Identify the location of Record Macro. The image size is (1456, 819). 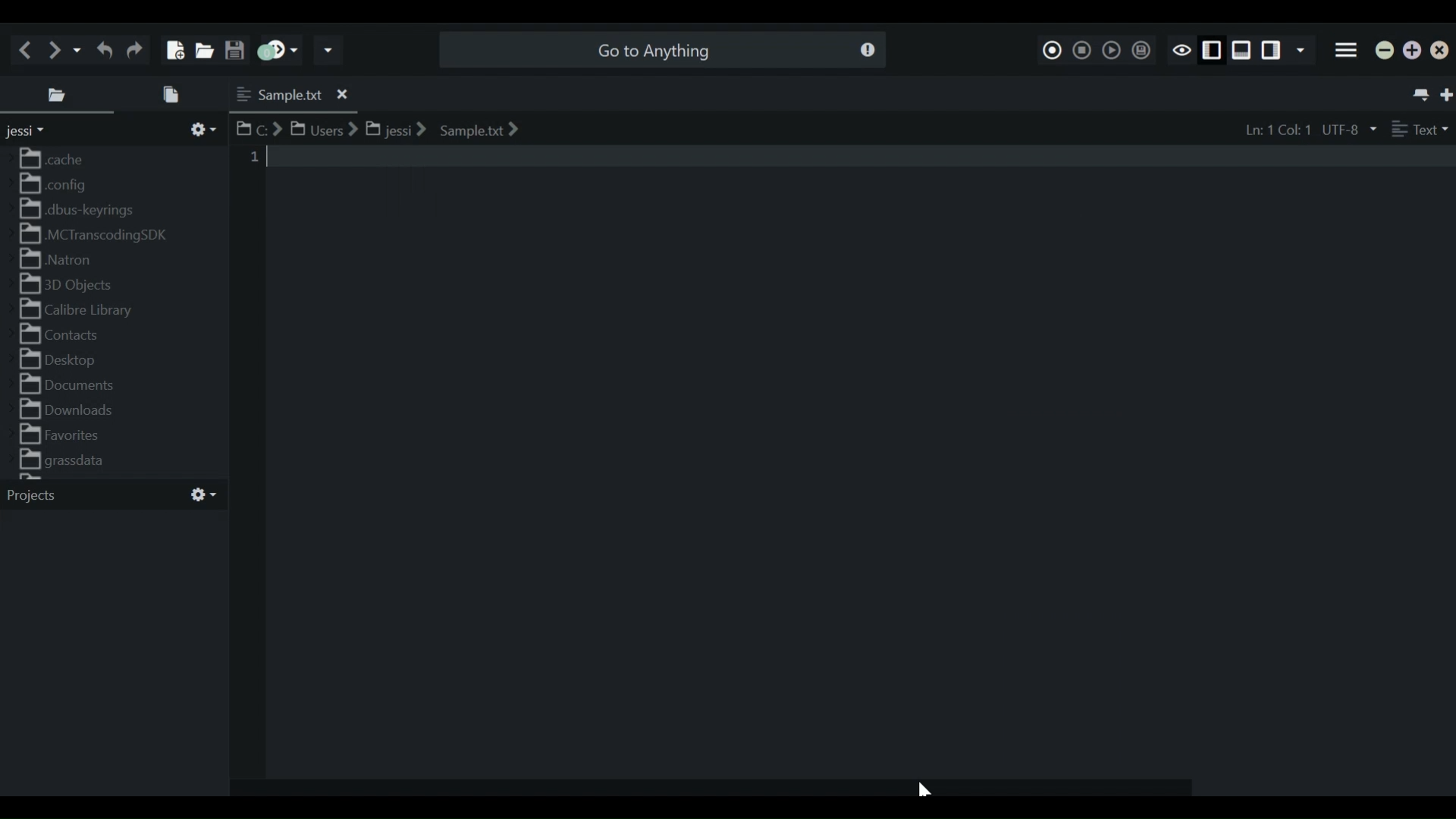
(1050, 50).